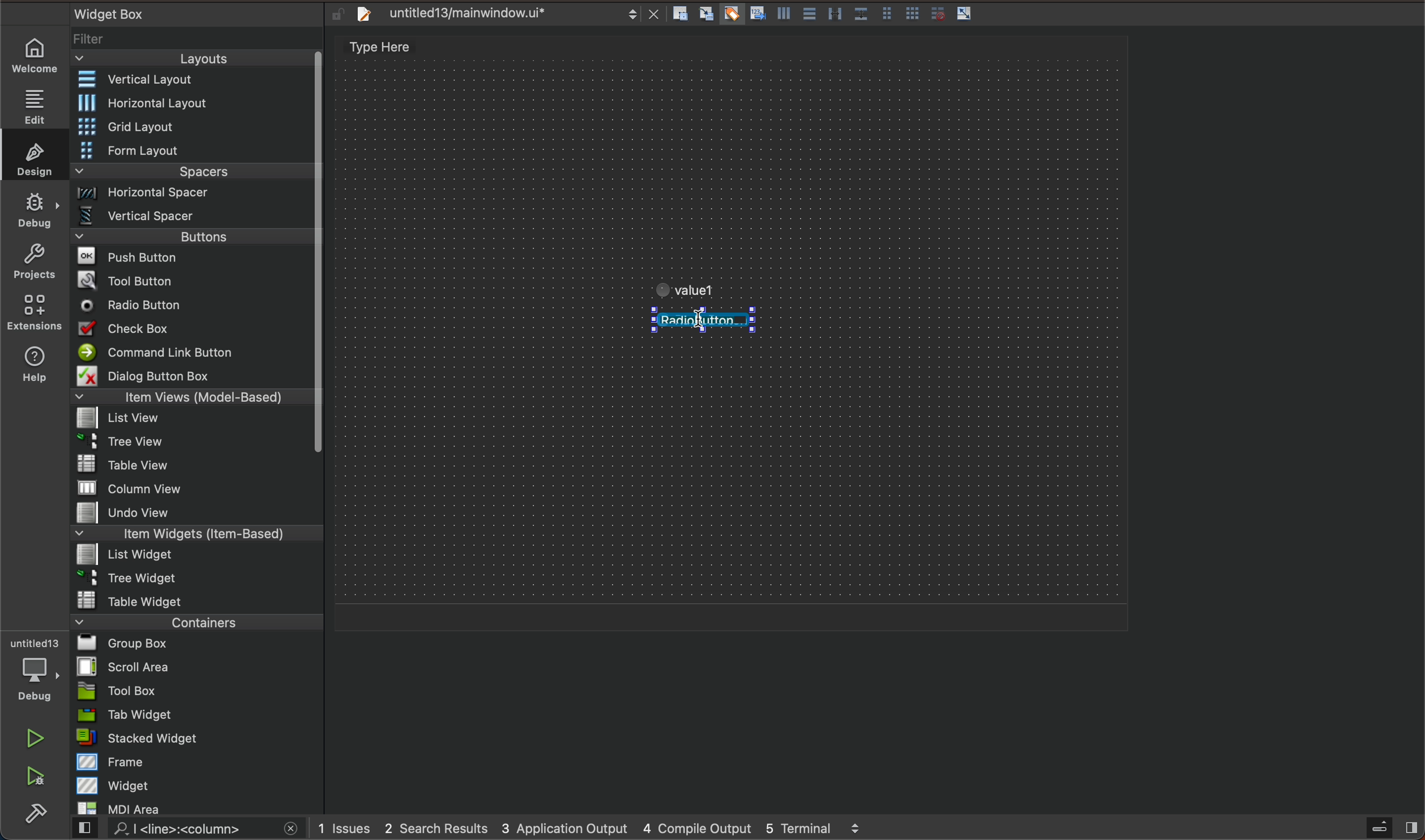  I want to click on start typing, so click(703, 281).